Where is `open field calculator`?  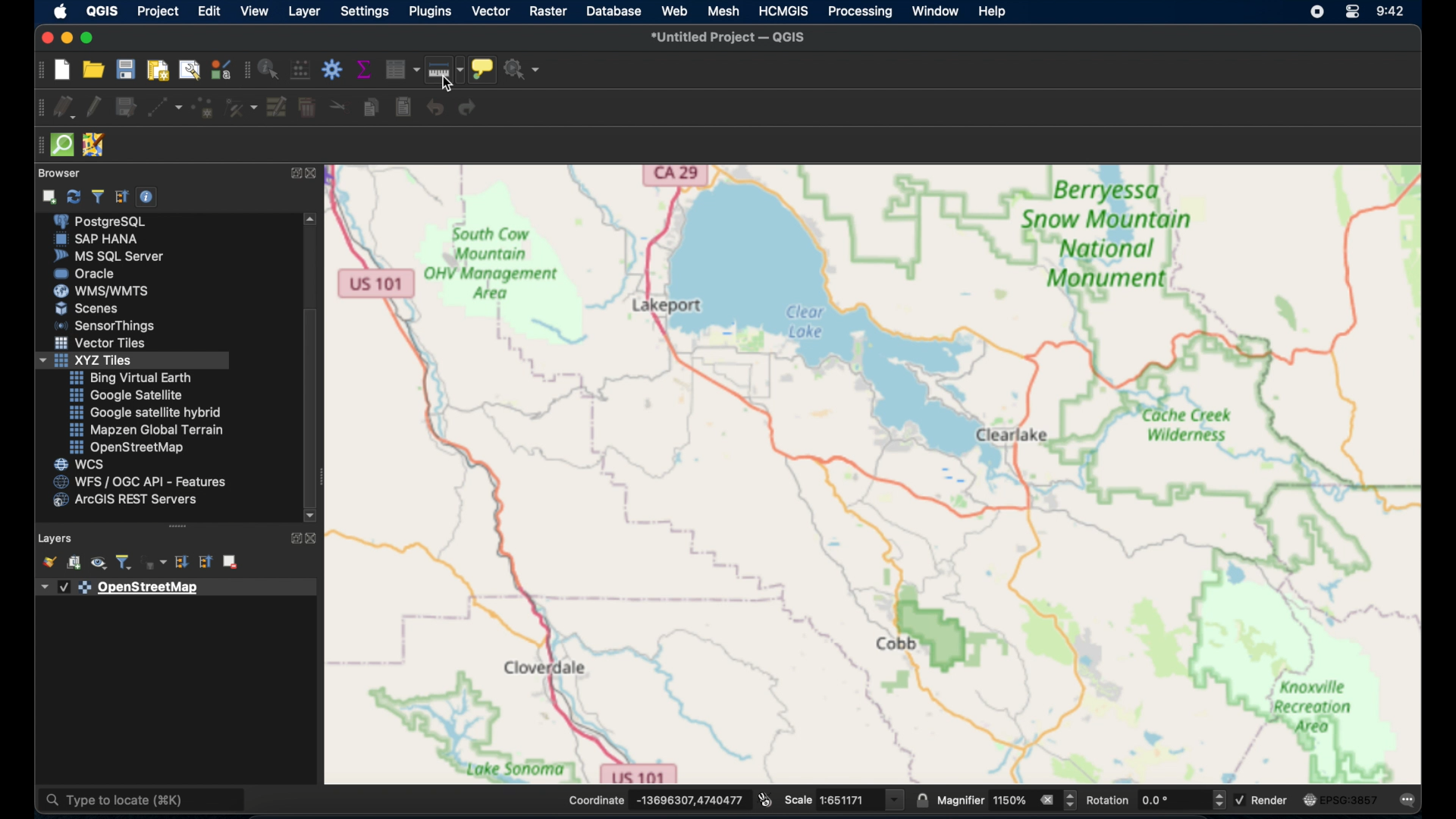 open field calculator is located at coordinates (300, 69).